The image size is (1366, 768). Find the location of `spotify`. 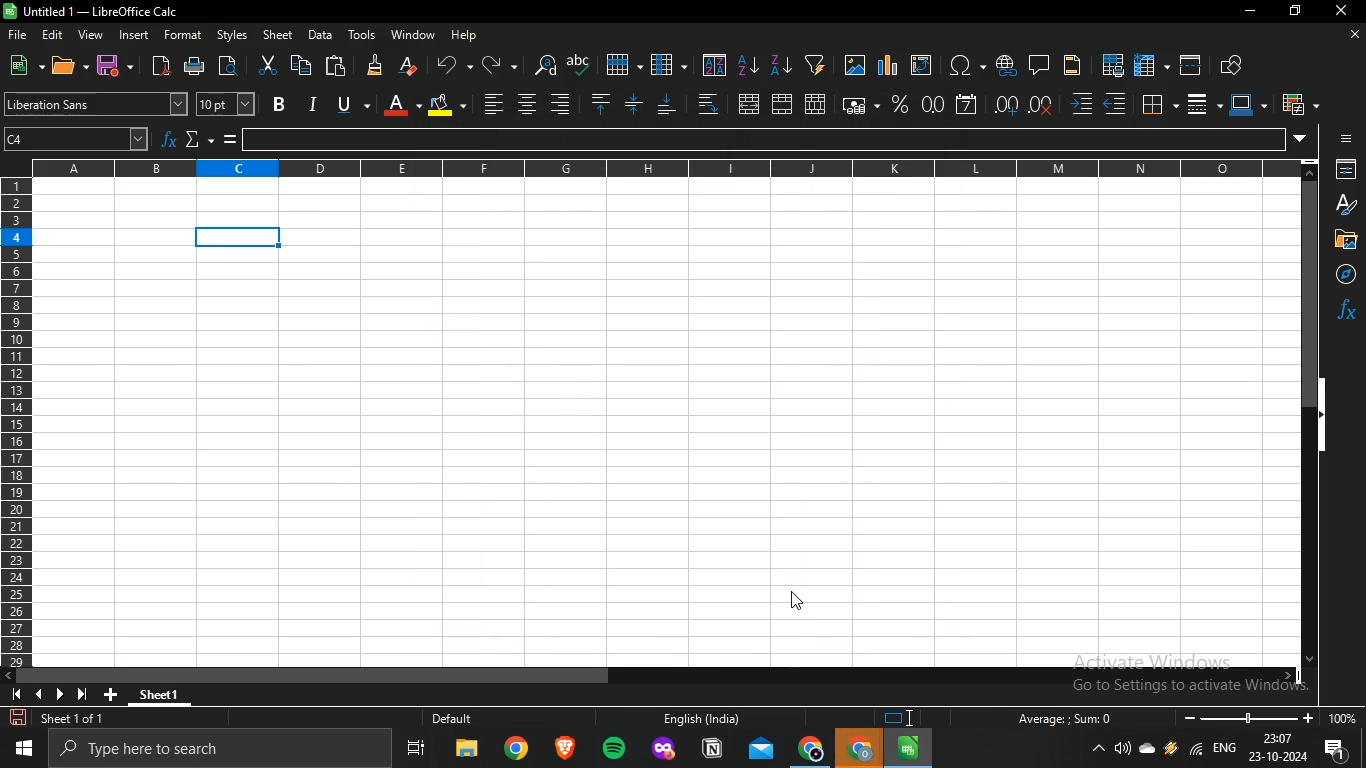

spotify is located at coordinates (614, 750).